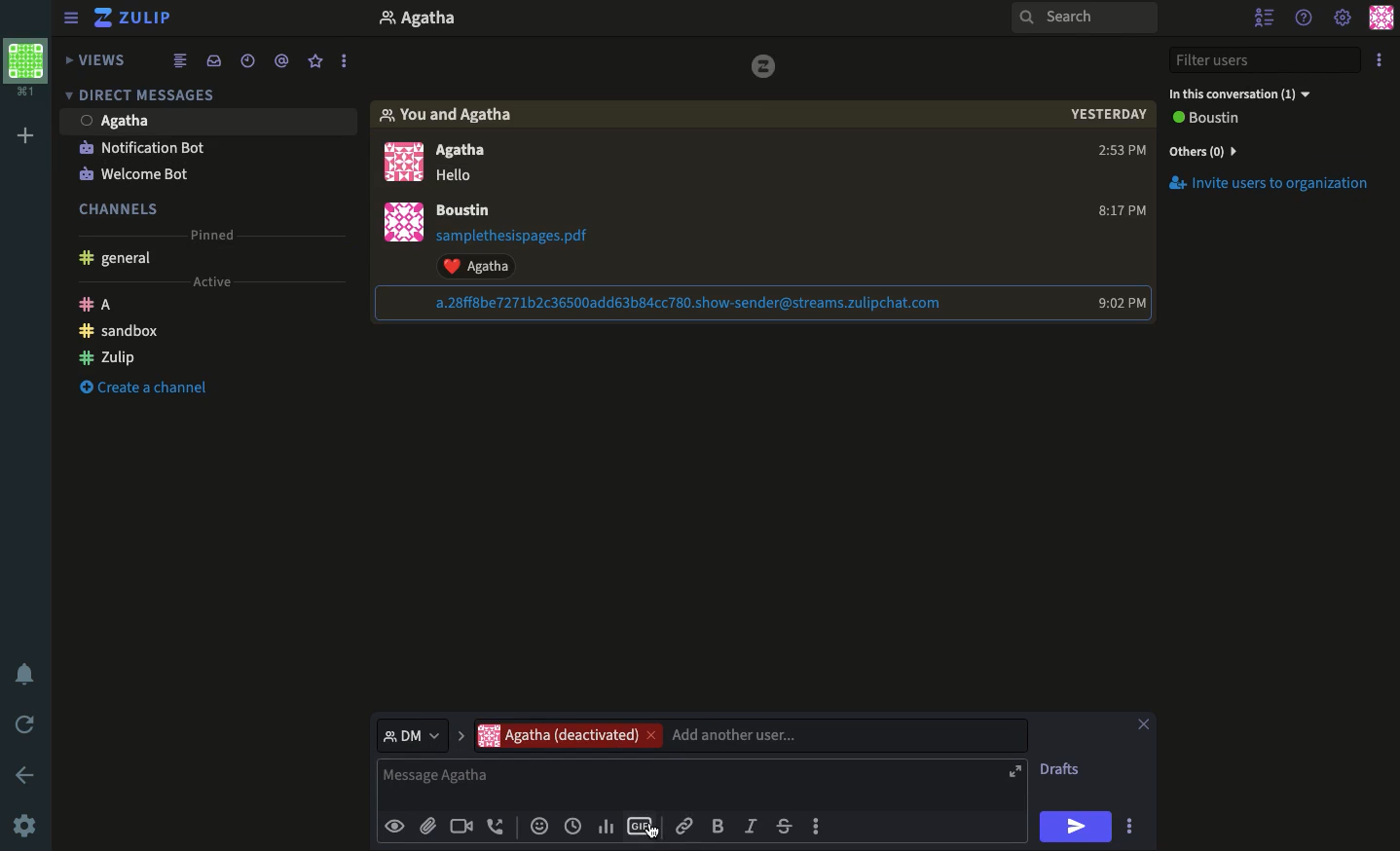  Describe the element at coordinates (541, 825) in the screenshot. I see `Add reaction` at that location.